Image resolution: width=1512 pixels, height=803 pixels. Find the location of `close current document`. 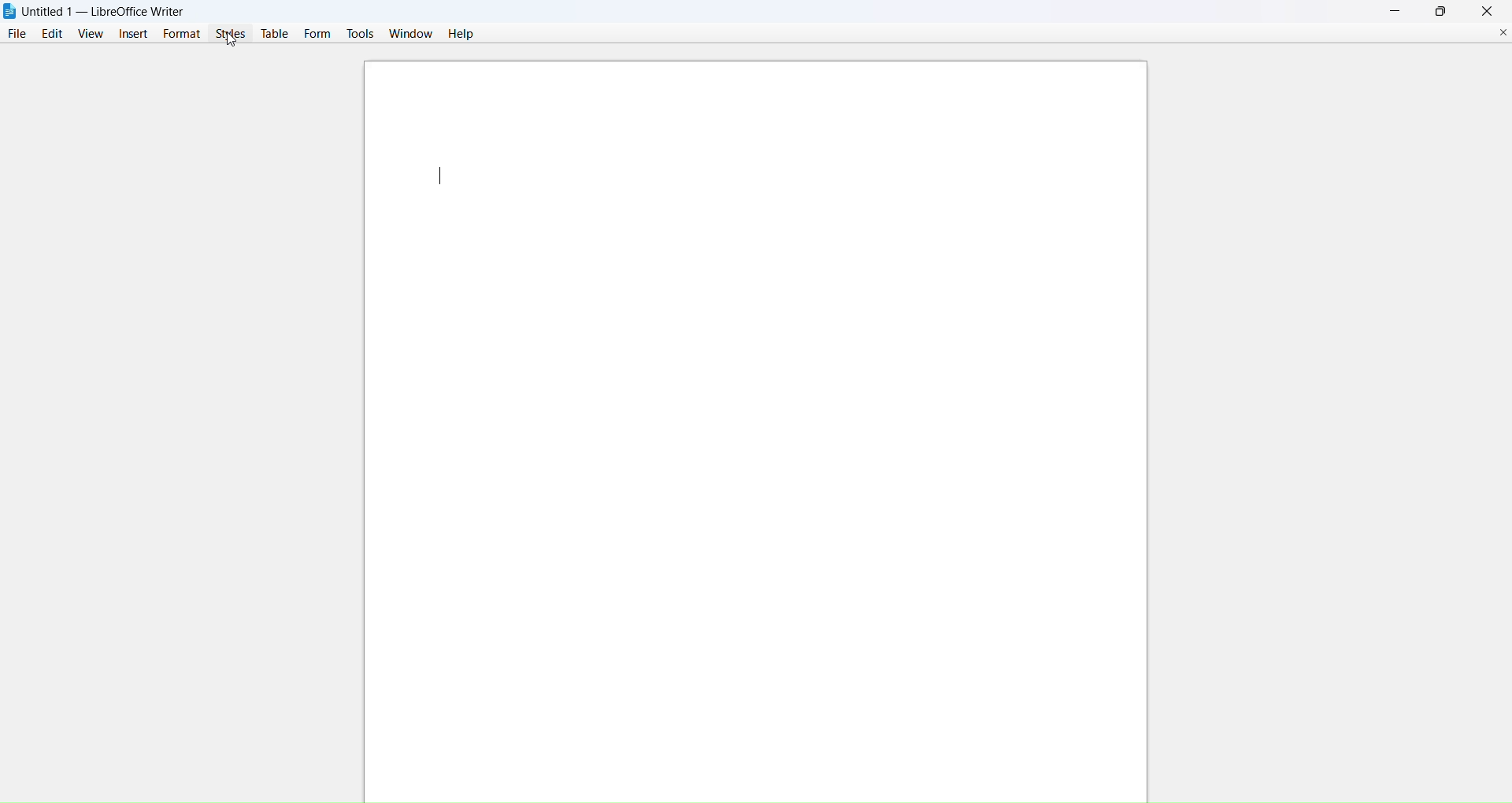

close current document is located at coordinates (1503, 35).